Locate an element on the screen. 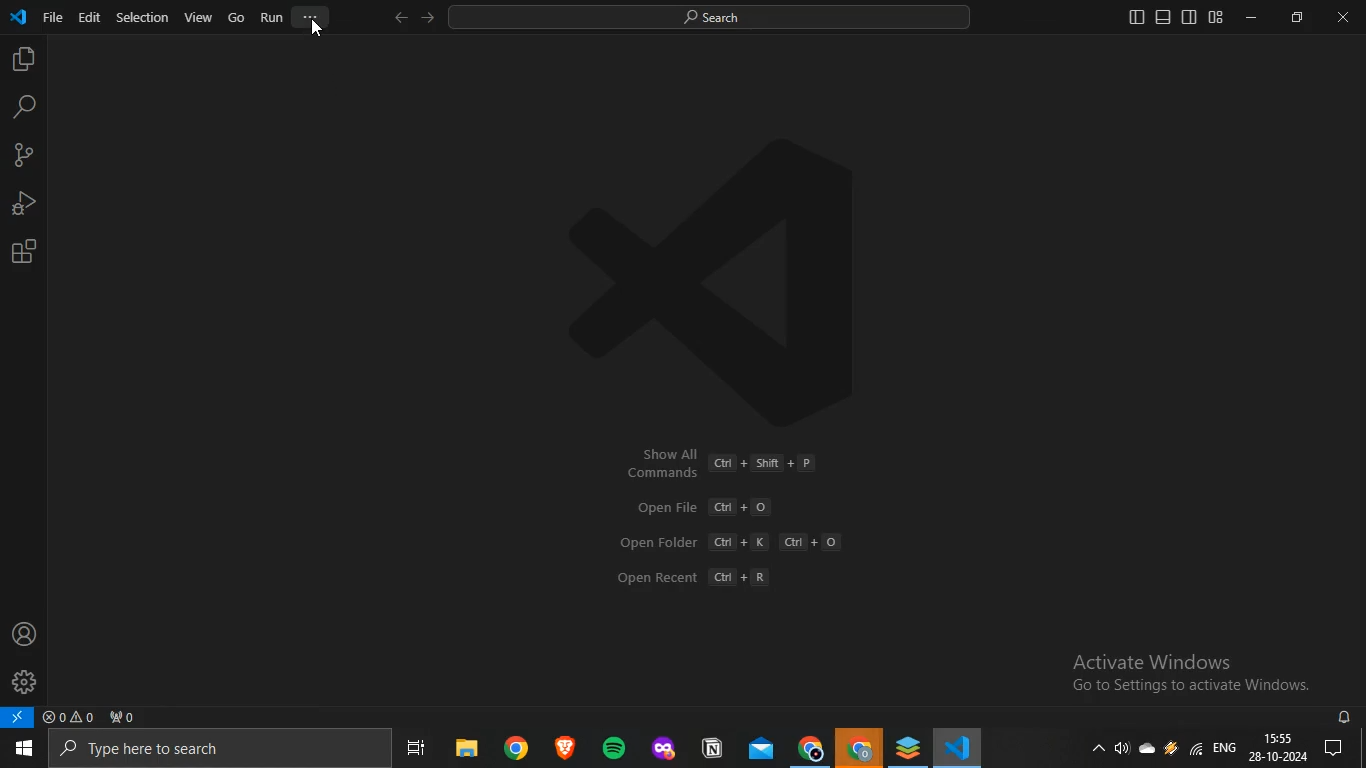 Image resolution: width=1366 pixels, height=768 pixels. file is located at coordinates (53, 17).